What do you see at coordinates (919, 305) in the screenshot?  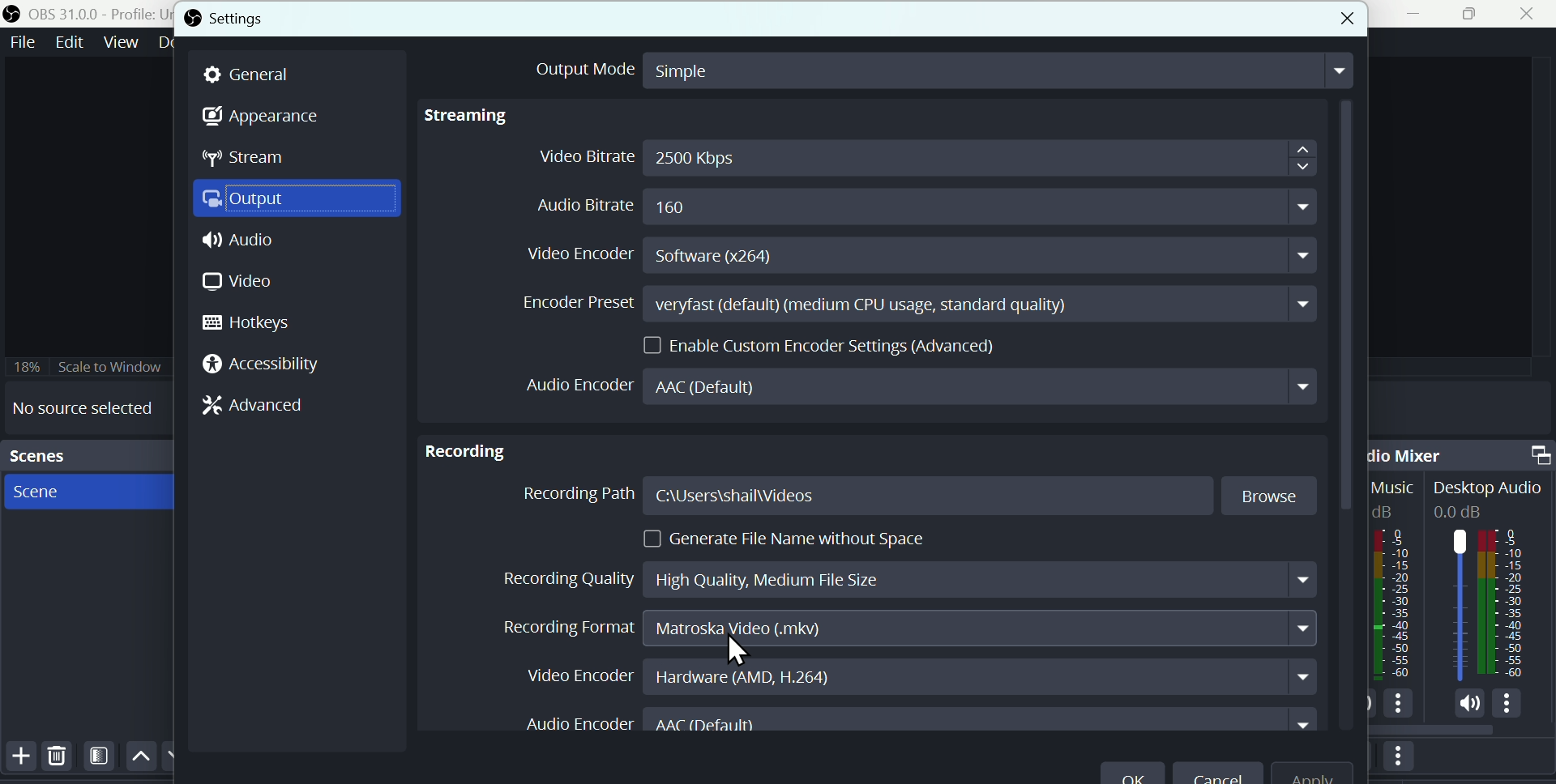 I see `Encoder preset` at bounding box center [919, 305].